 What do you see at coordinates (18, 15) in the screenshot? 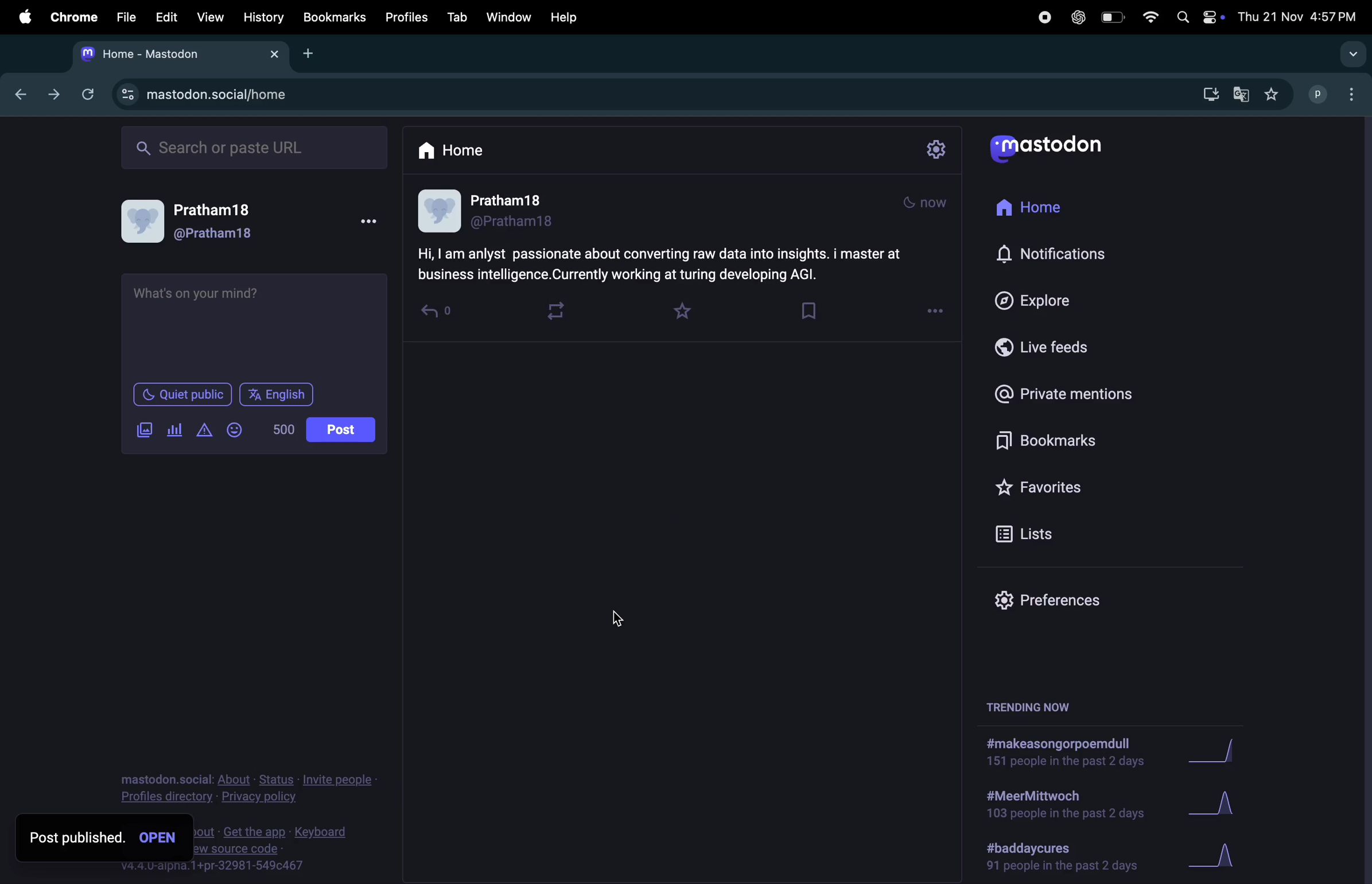
I see `apple menu` at bounding box center [18, 15].